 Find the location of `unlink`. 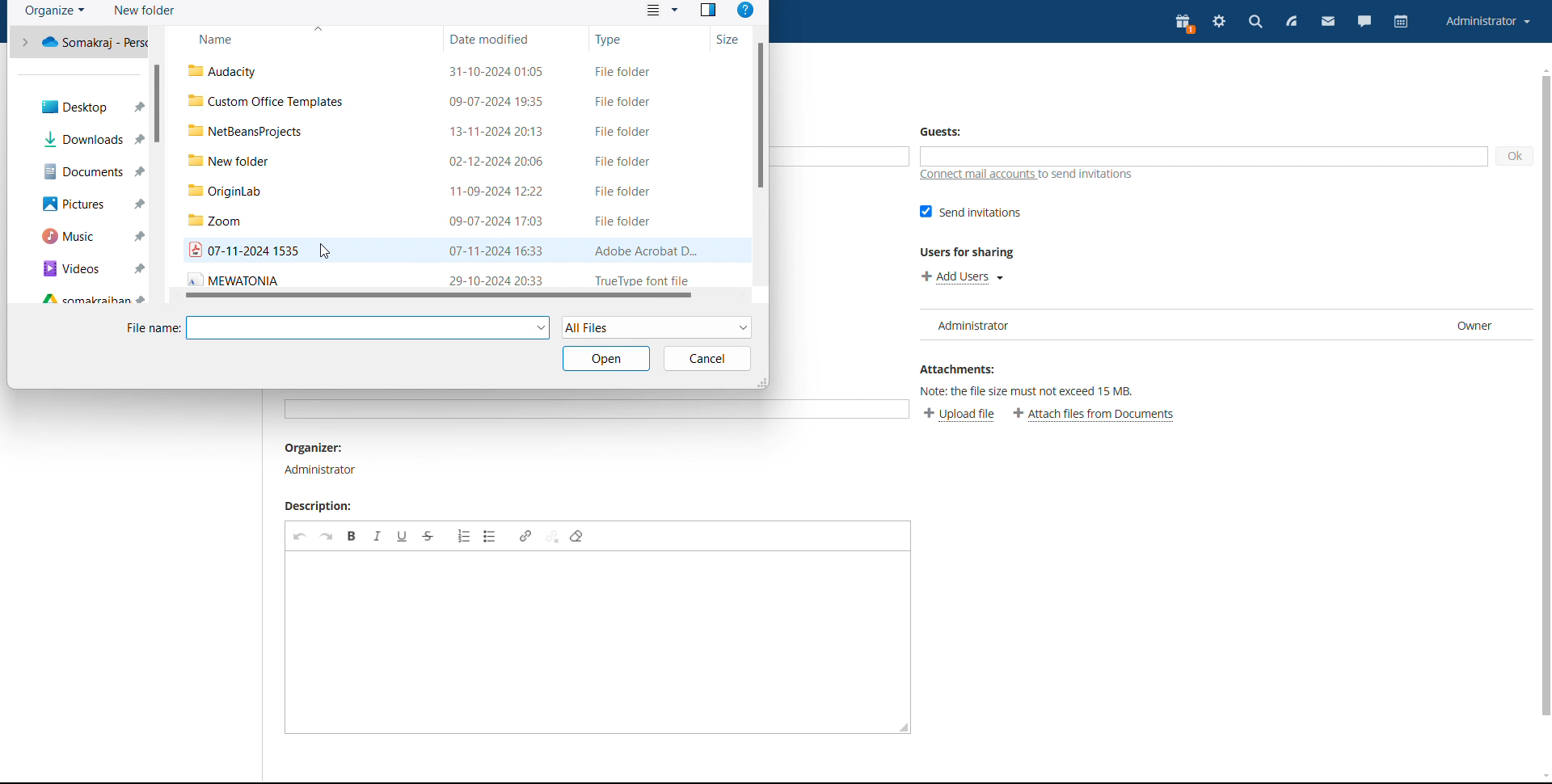

unlink is located at coordinates (552, 535).